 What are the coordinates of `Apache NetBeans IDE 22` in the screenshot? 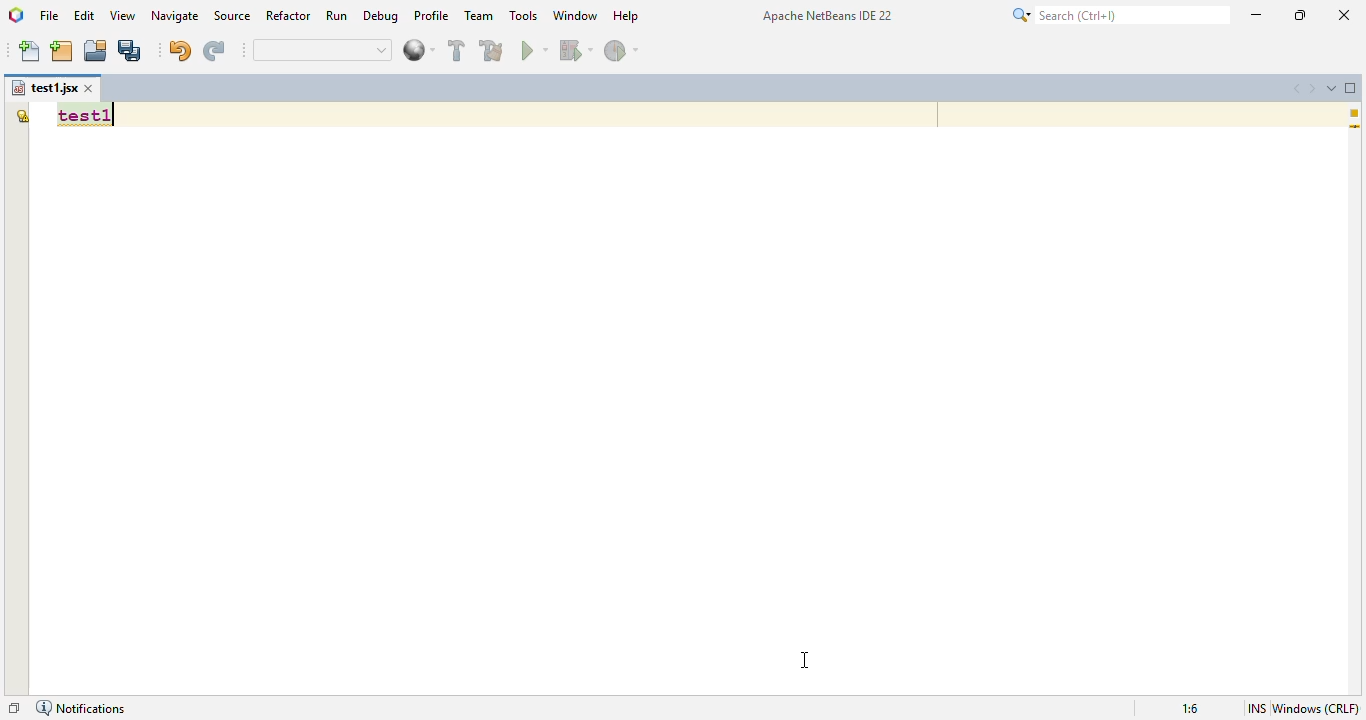 It's located at (828, 15).